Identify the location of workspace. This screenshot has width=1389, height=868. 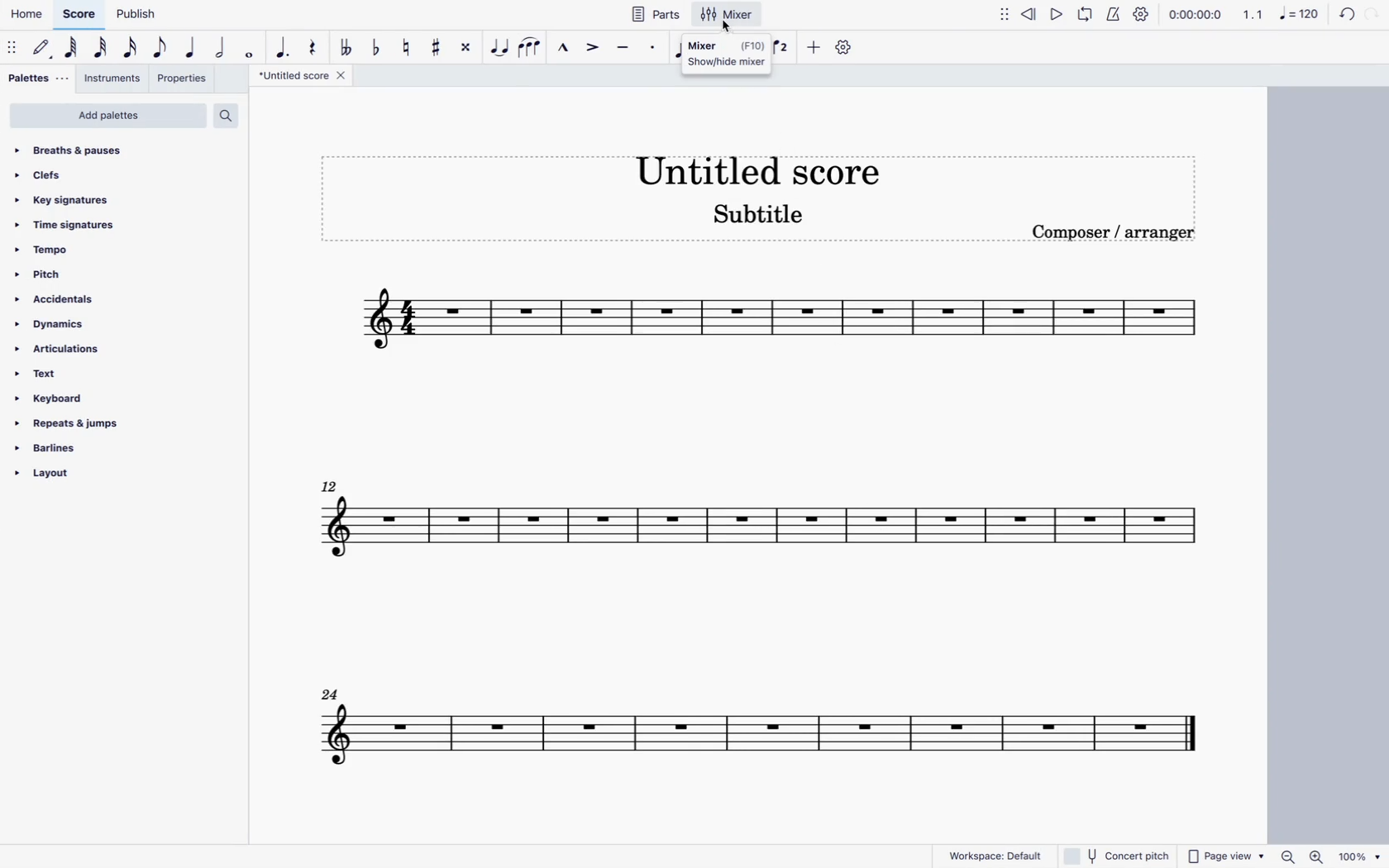
(990, 855).